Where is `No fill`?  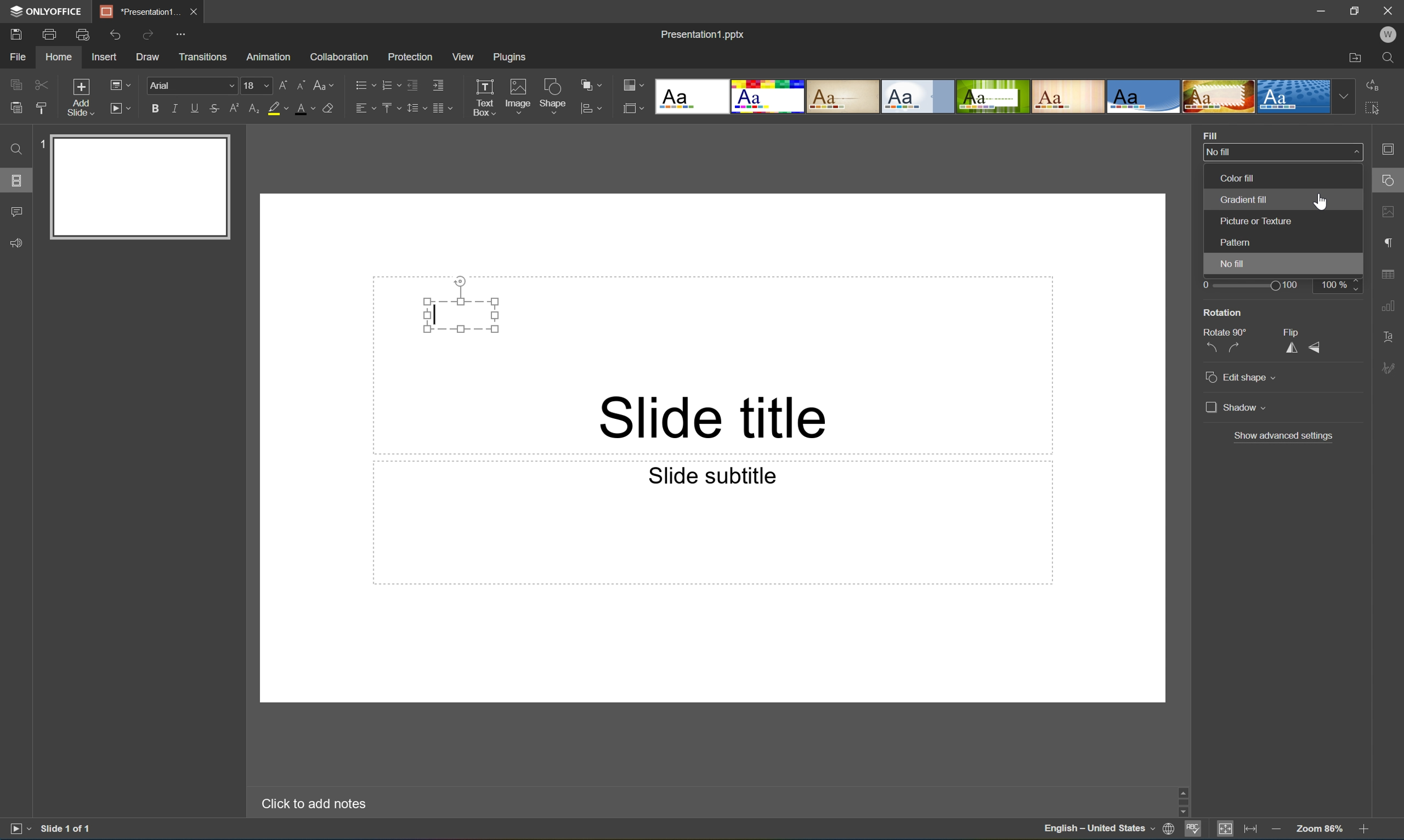
No fill is located at coordinates (1219, 153).